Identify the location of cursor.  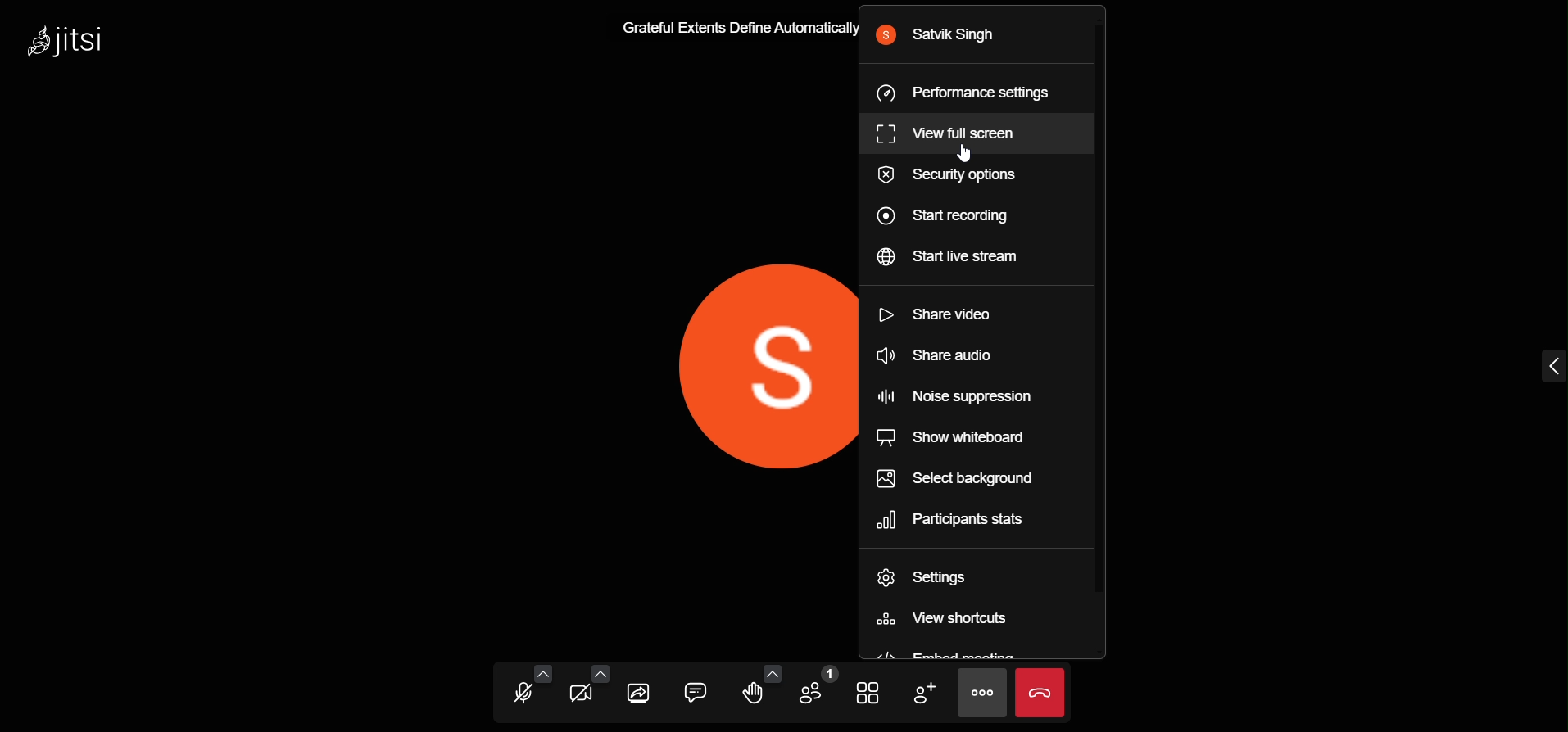
(964, 156).